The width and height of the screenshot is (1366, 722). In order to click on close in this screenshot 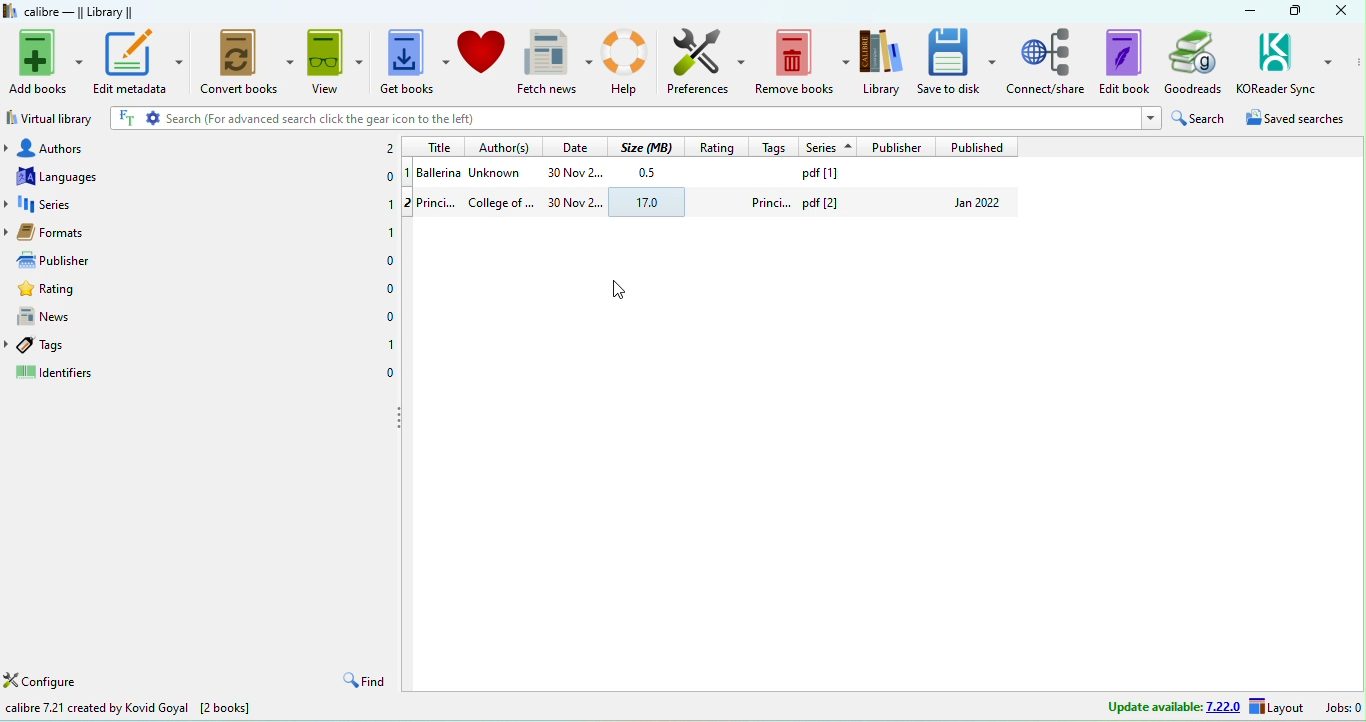, I will do `click(1339, 10)`.